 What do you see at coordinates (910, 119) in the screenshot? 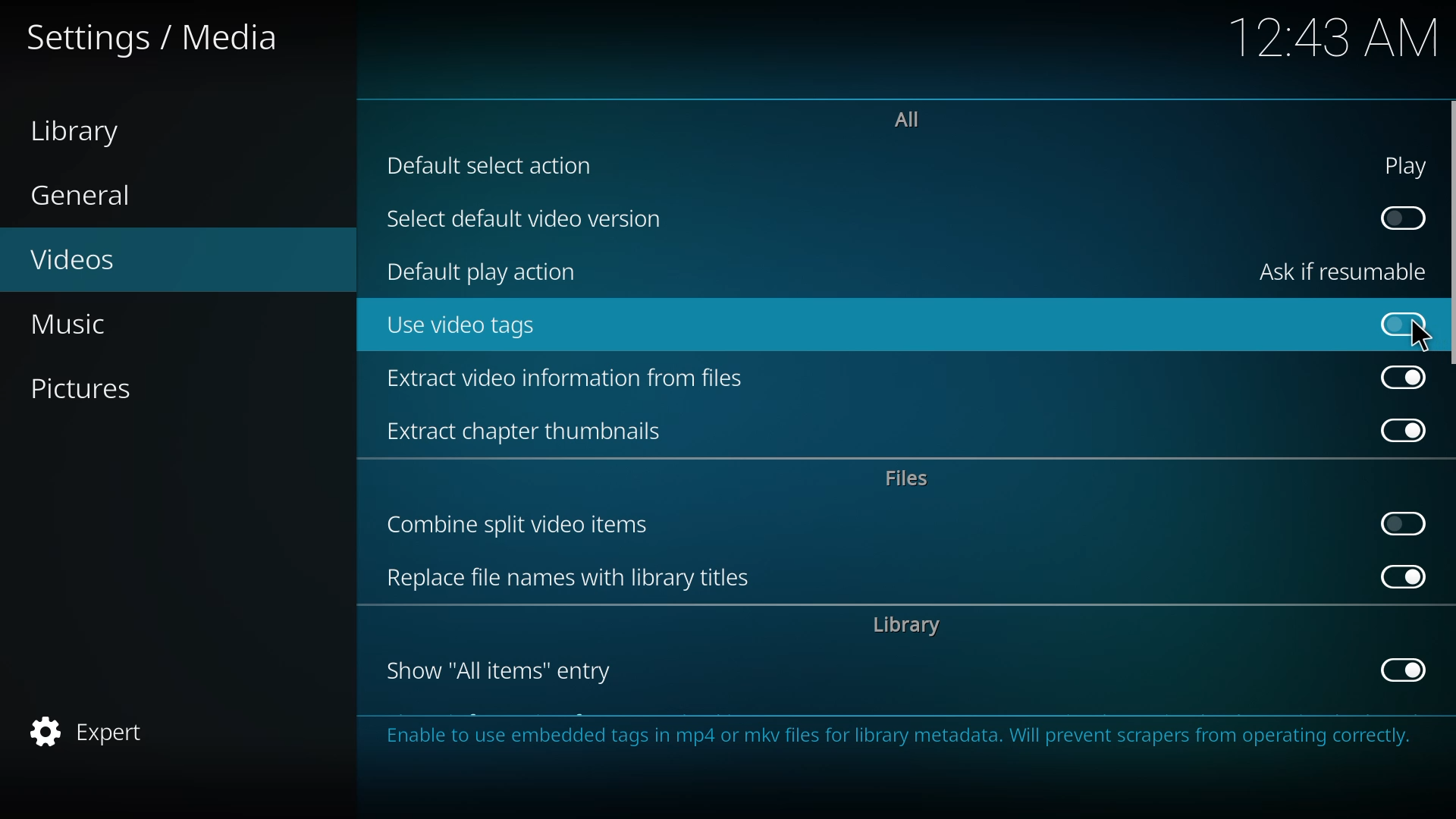
I see `all` at bounding box center [910, 119].